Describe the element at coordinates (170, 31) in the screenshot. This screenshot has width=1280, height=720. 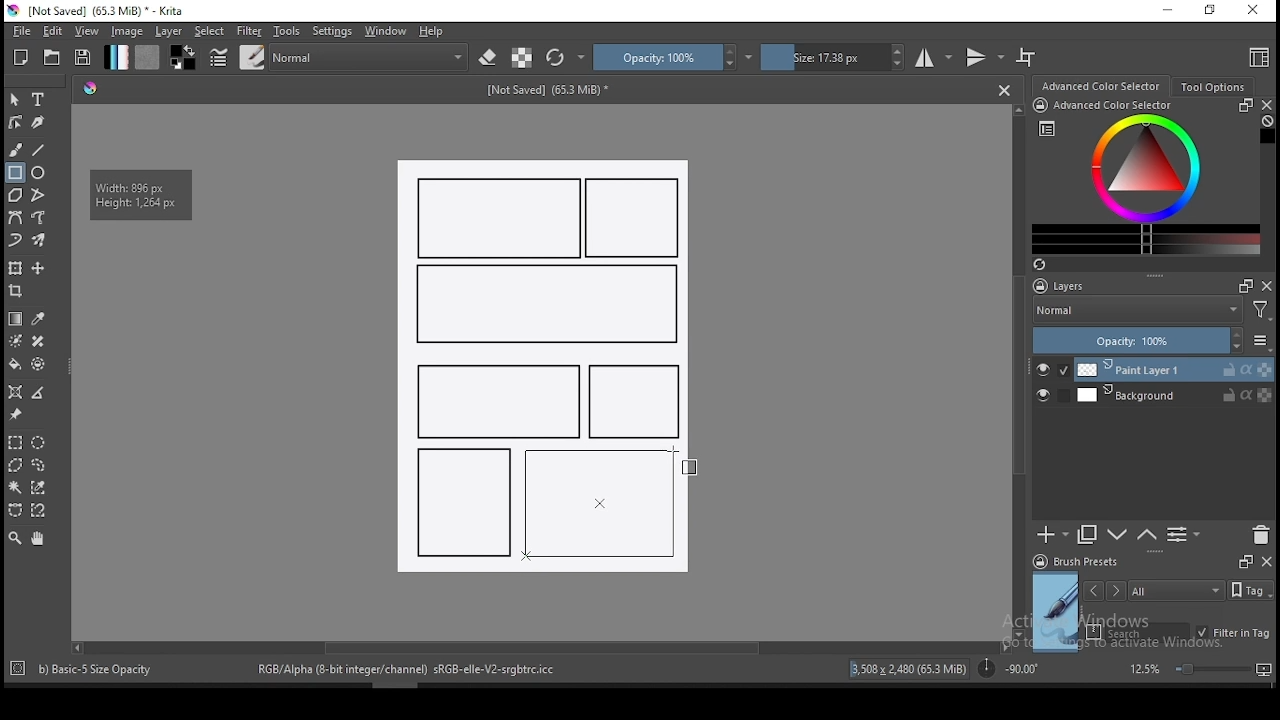
I see `layer` at that location.